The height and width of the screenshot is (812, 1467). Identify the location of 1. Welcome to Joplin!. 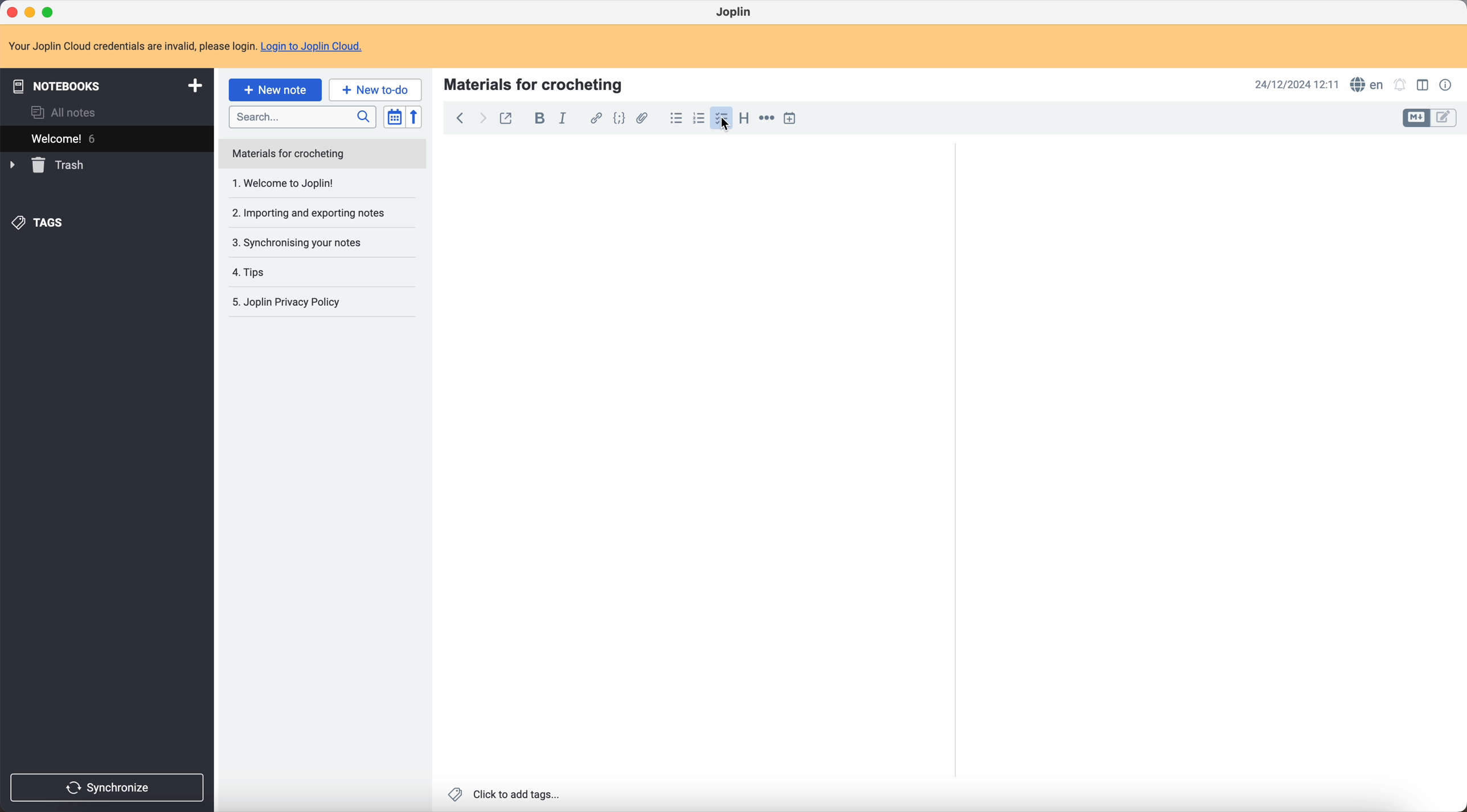
(315, 184).